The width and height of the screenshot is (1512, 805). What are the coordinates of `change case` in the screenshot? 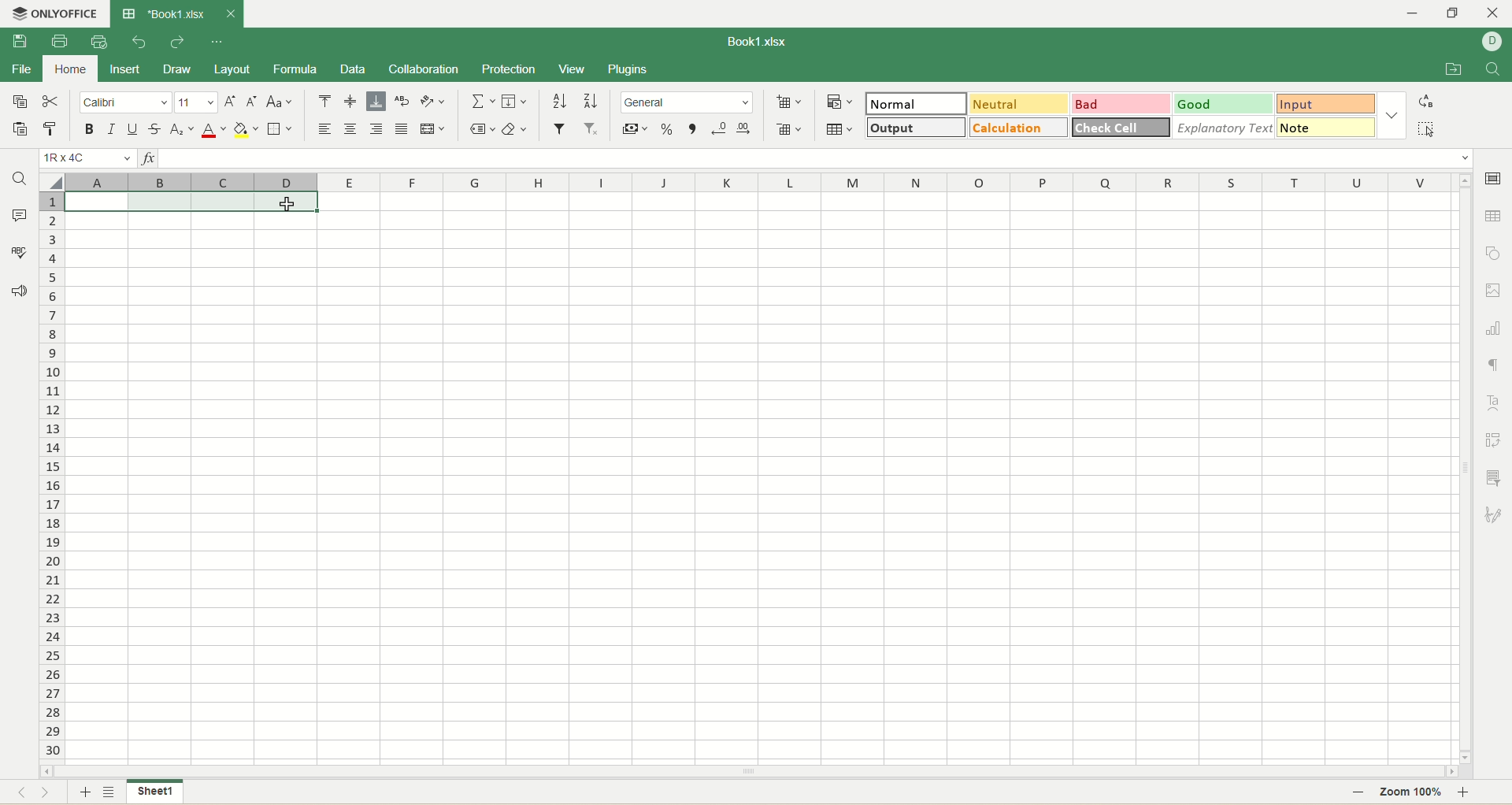 It's located at (280, 102).